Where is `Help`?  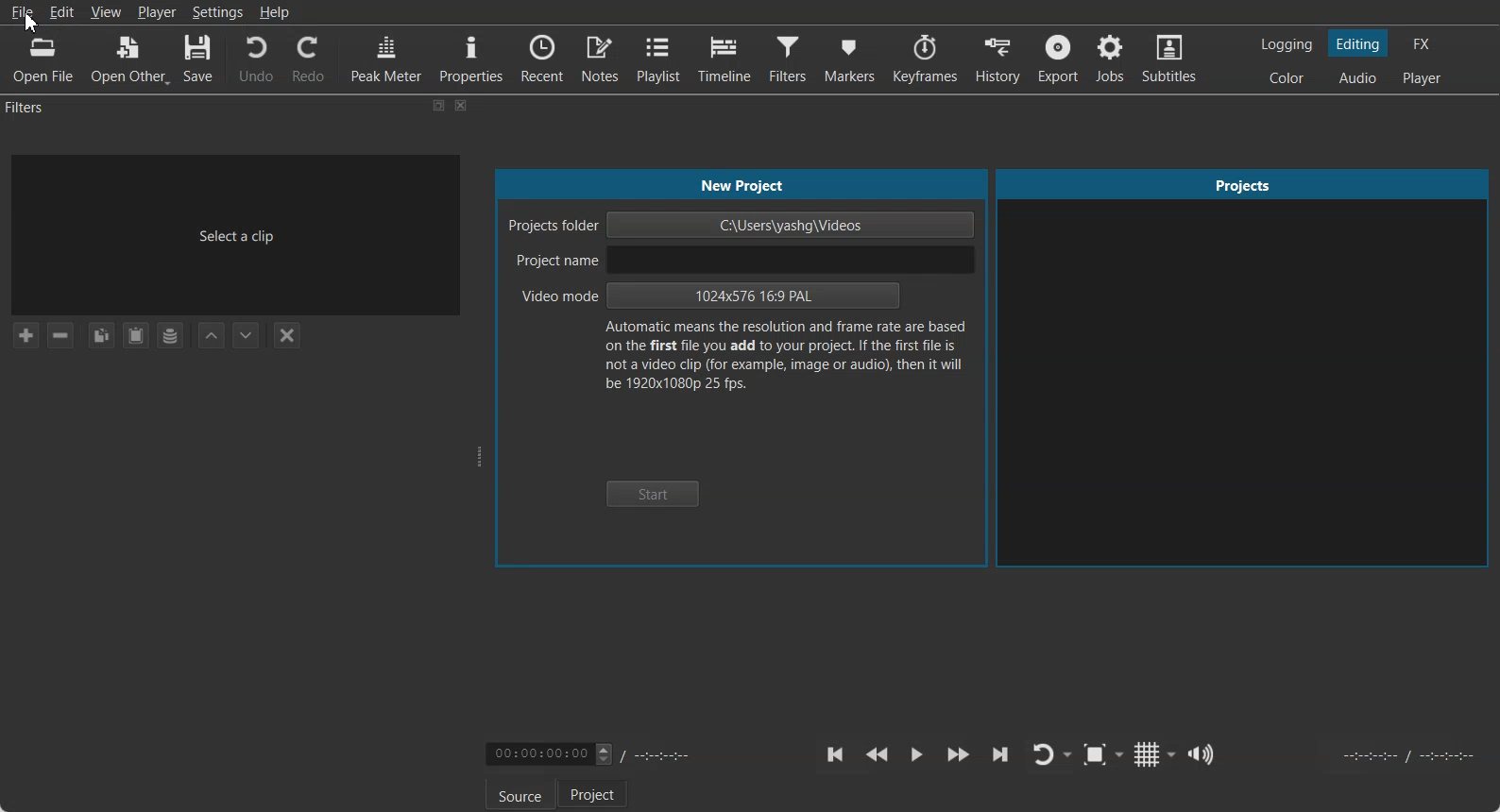 Help is located at coordinates (274, 11).